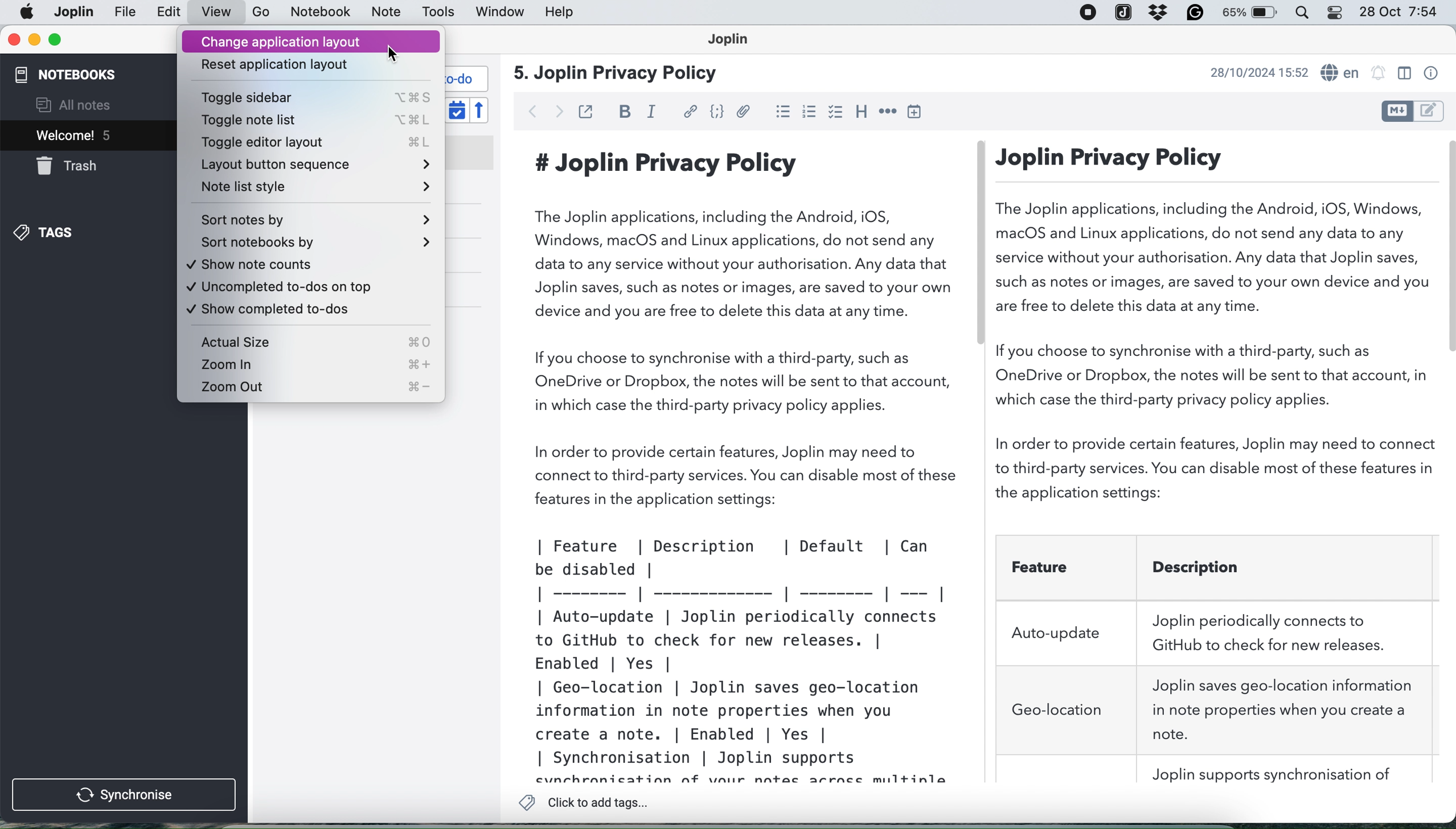 The width and height of the screenshot is (1456, 829). Describe the element at coordinates (479, 109) in the screenshot. I see `reverse order` at that location.